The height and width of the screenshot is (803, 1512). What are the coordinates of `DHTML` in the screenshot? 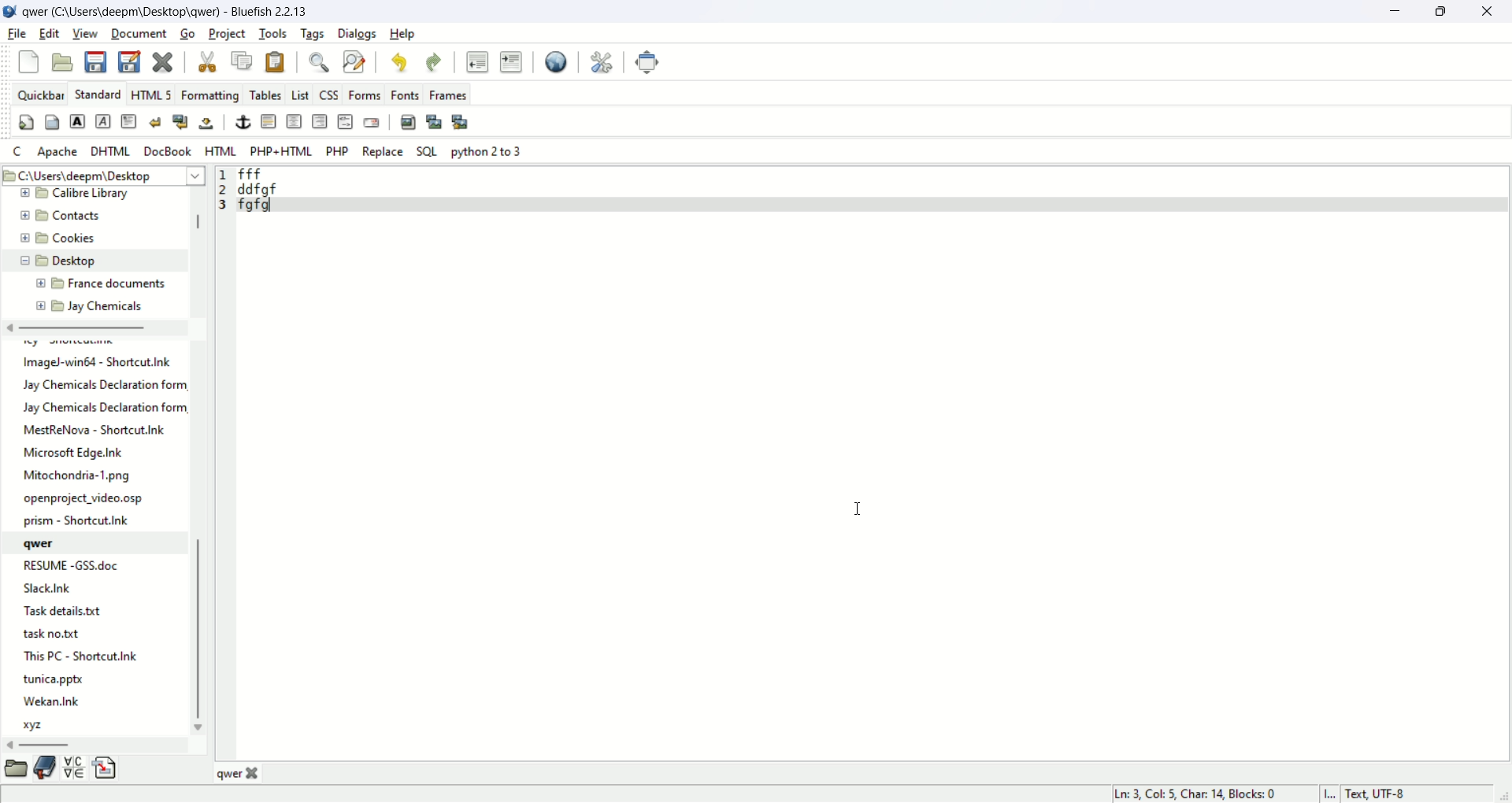 It's located at (109, 150).